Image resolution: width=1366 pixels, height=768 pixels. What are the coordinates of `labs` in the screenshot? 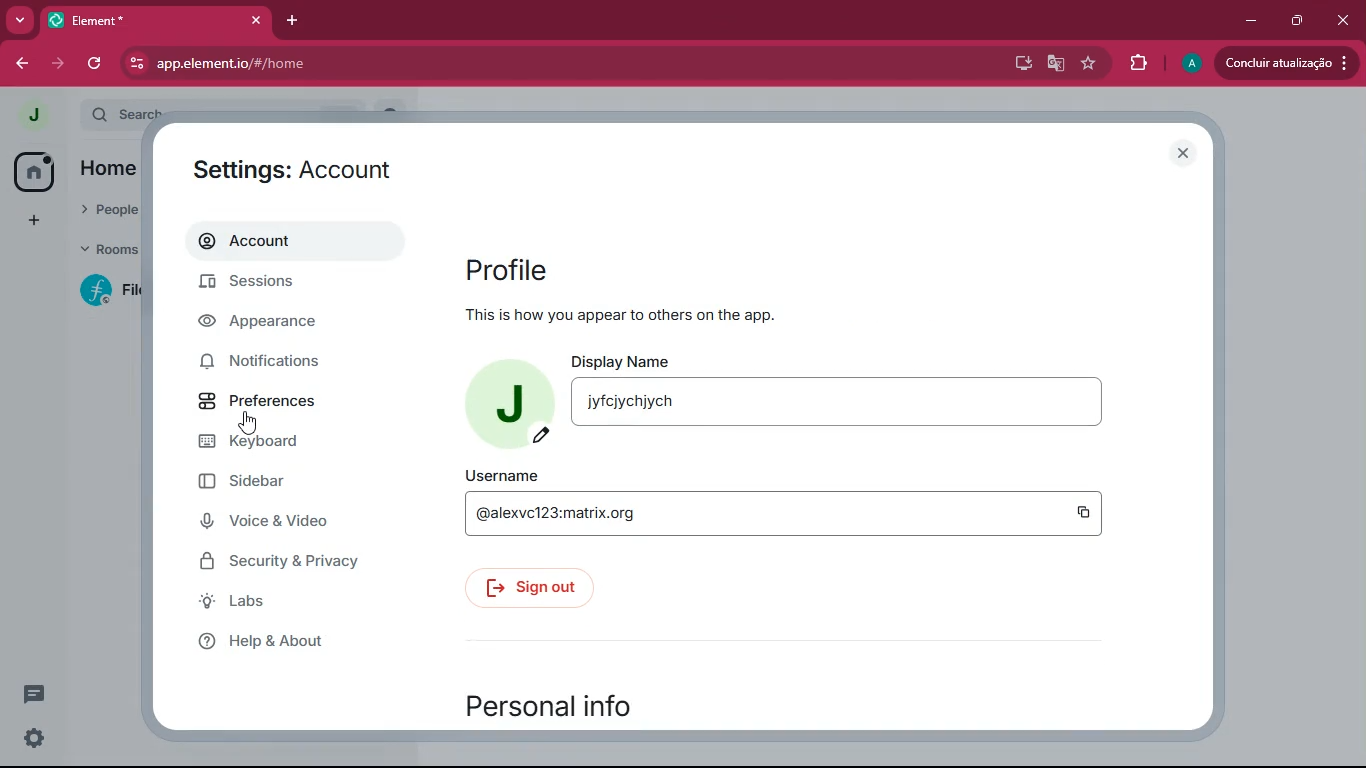 It's located at (277, 604).